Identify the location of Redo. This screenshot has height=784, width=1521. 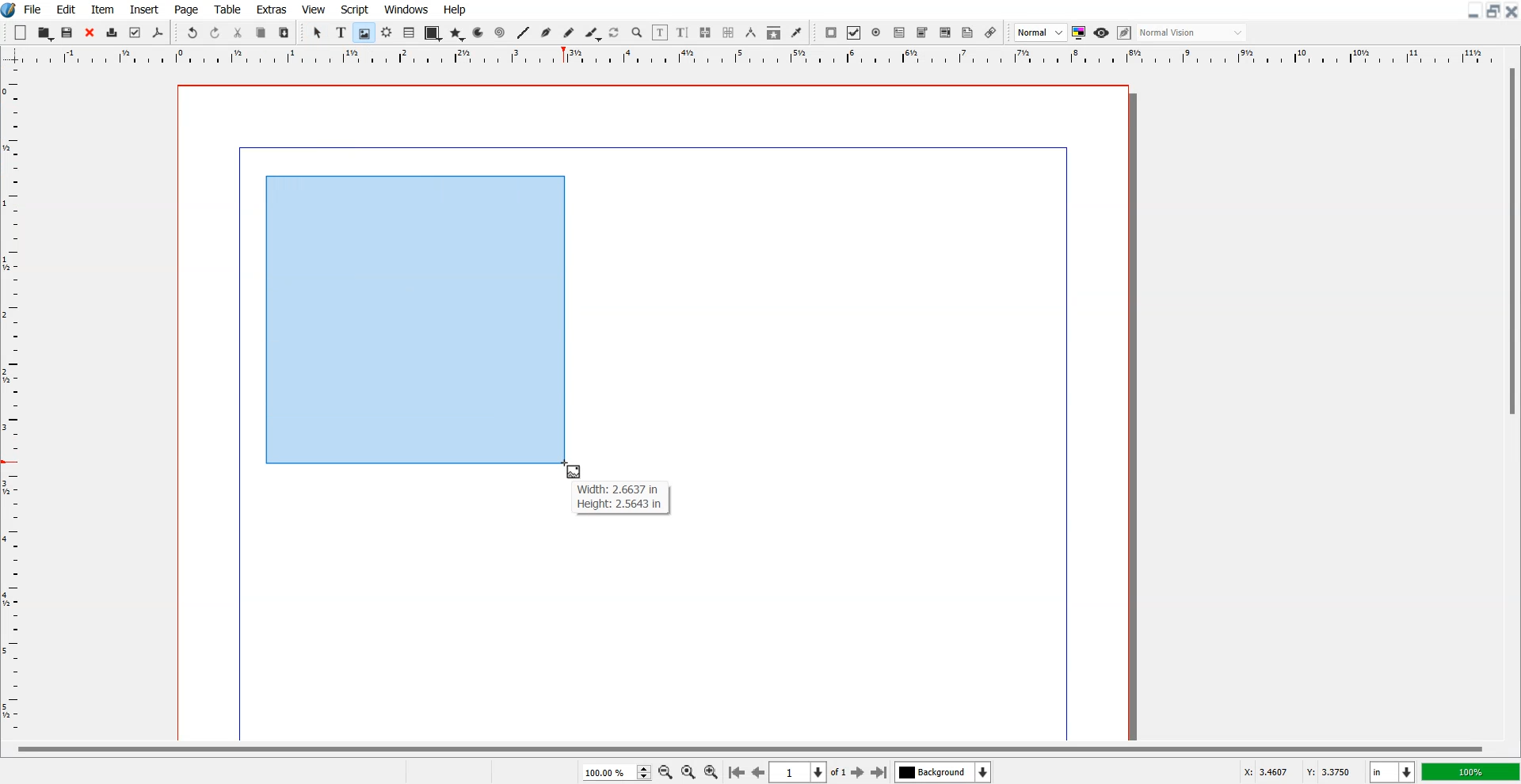
(215, 32).